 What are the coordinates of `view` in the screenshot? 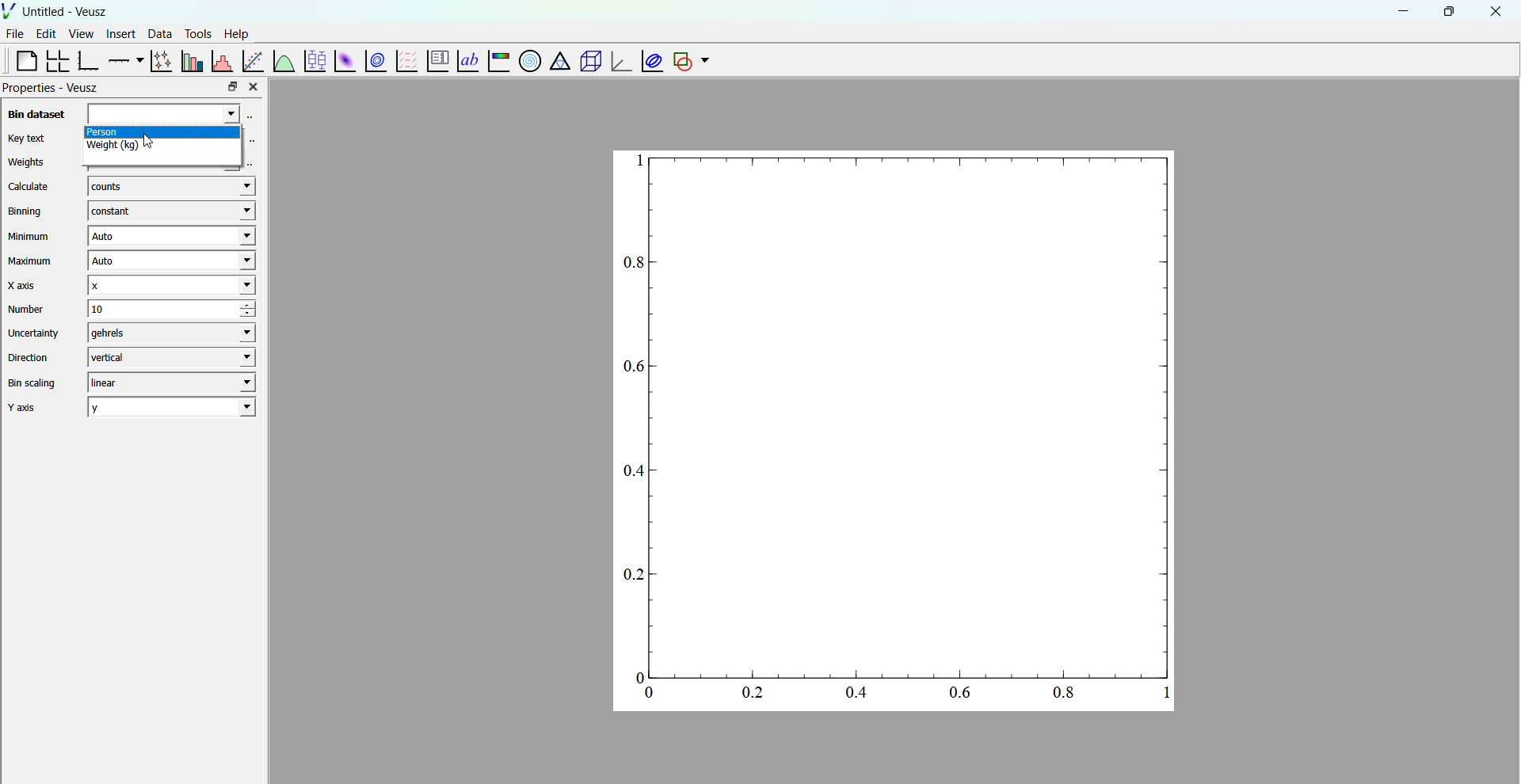 It's located at (81, 36).